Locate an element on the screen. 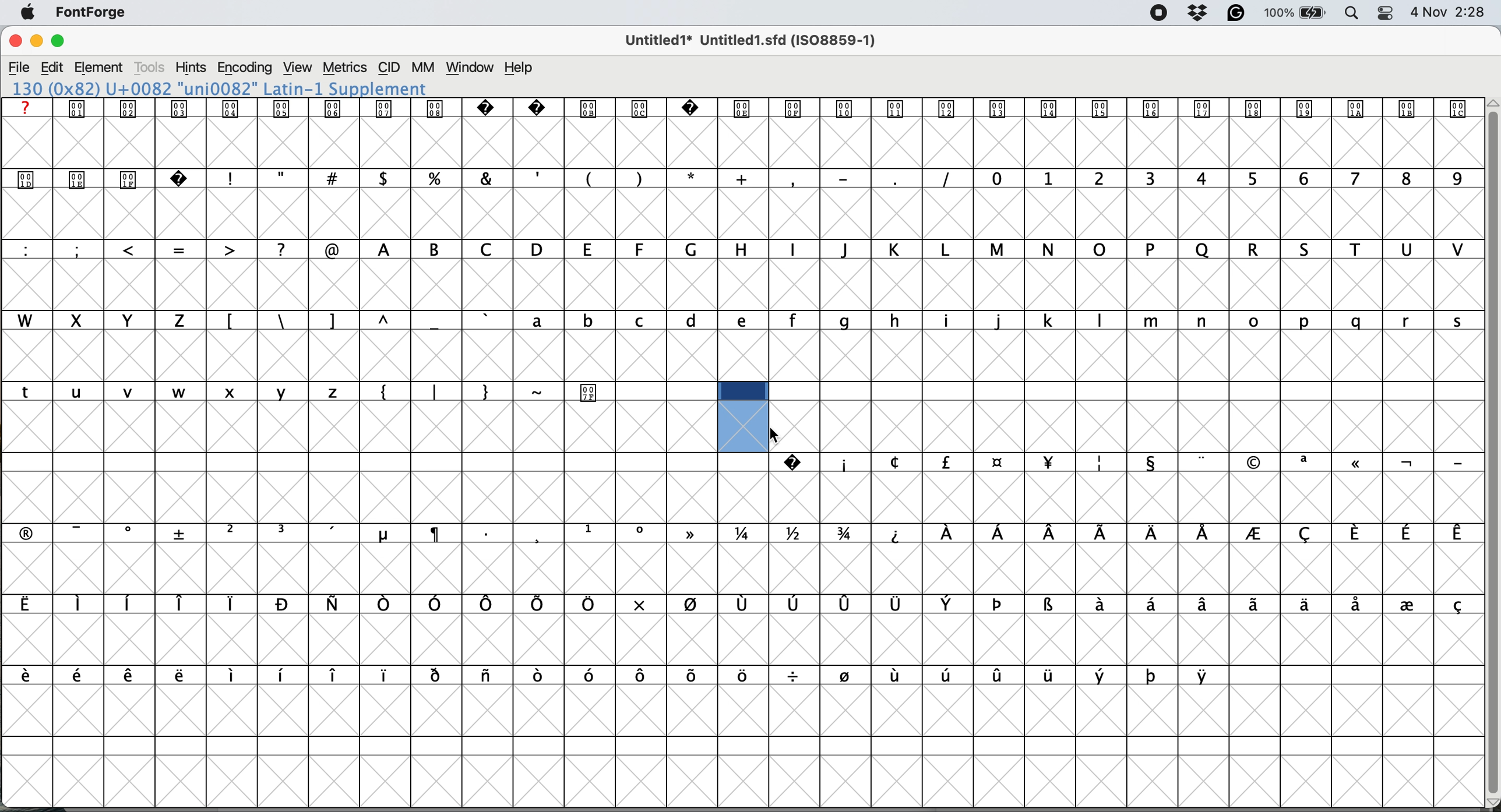  close is located at coordinates (15, 41).